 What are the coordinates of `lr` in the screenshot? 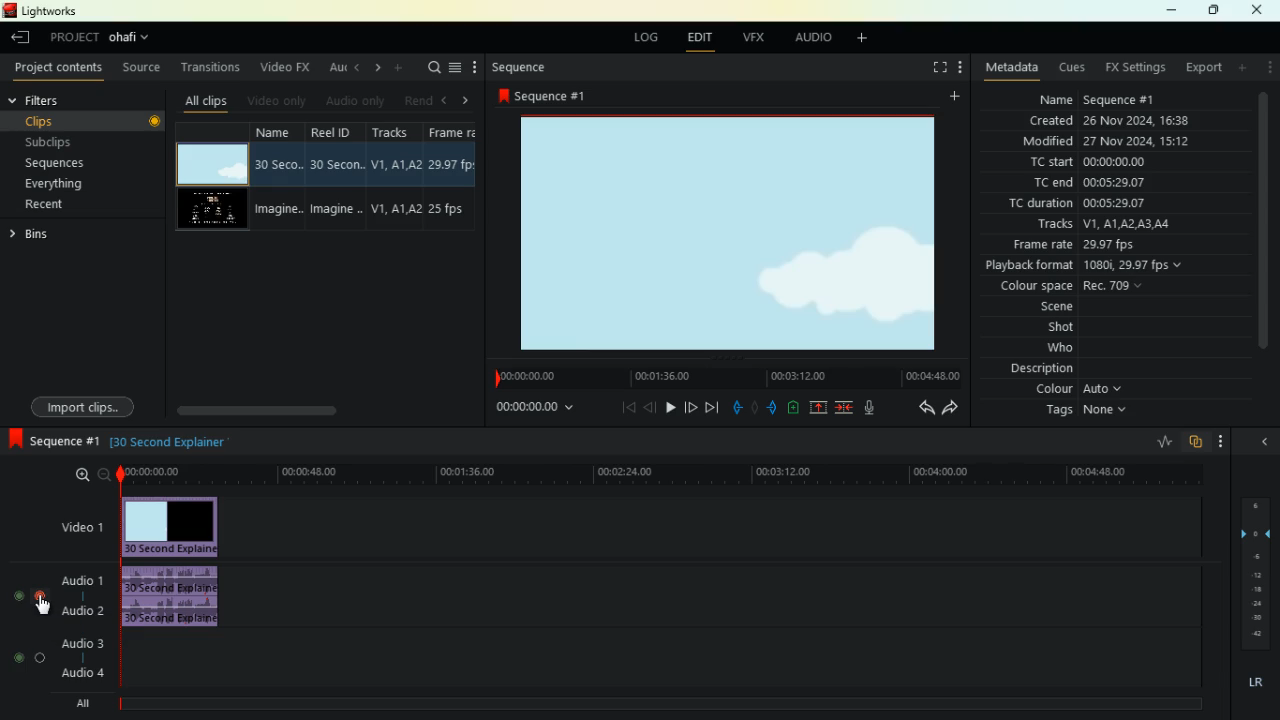 It's located at (1248, 684).